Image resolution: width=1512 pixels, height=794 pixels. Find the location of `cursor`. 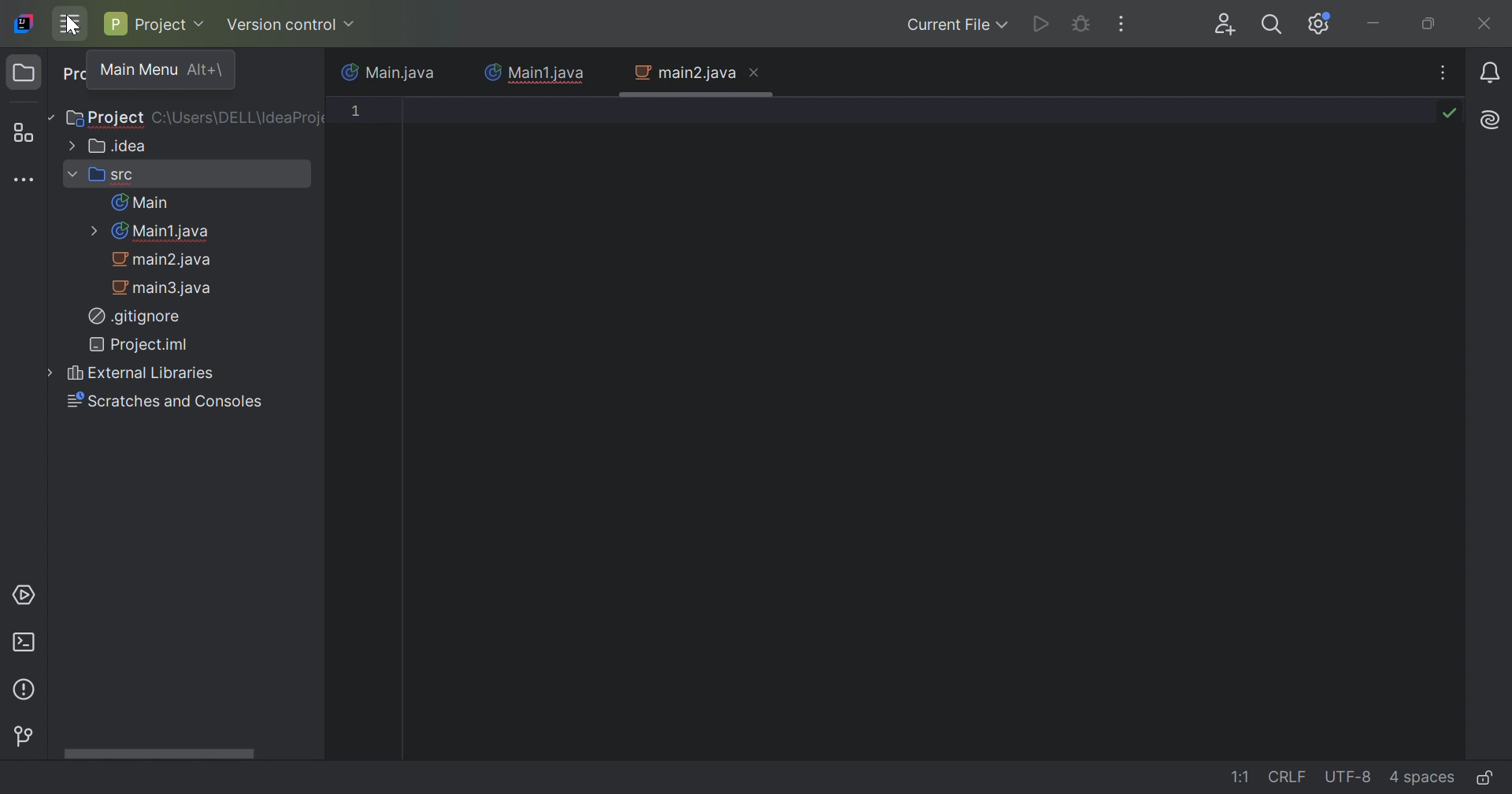

cursor is located at coordinates (74, 29).